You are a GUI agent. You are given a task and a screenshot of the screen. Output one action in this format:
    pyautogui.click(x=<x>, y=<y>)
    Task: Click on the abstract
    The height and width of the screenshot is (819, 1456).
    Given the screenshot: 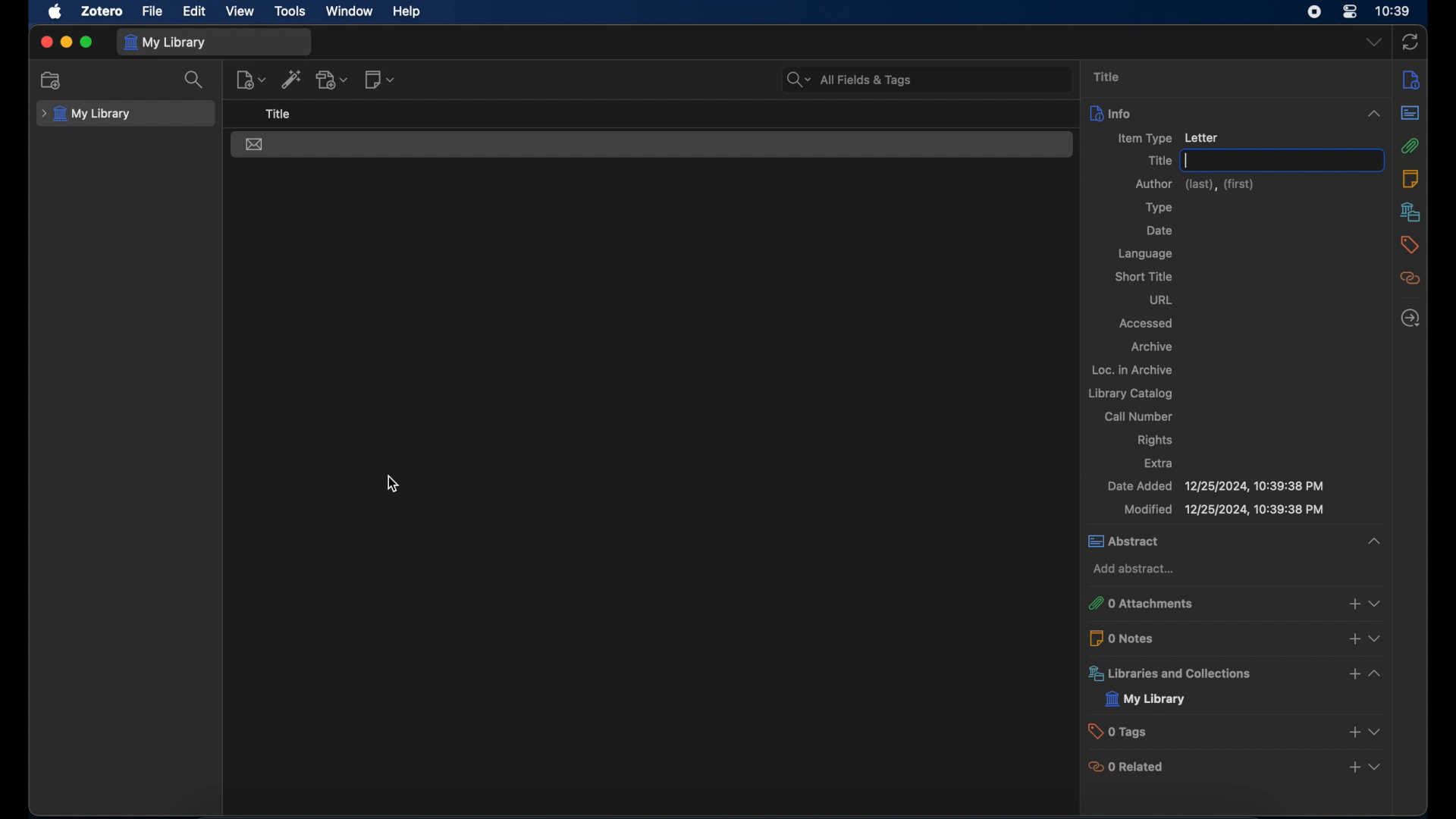 What is the action you would take?
    pyautogui.click(x=1410, y=112)
    